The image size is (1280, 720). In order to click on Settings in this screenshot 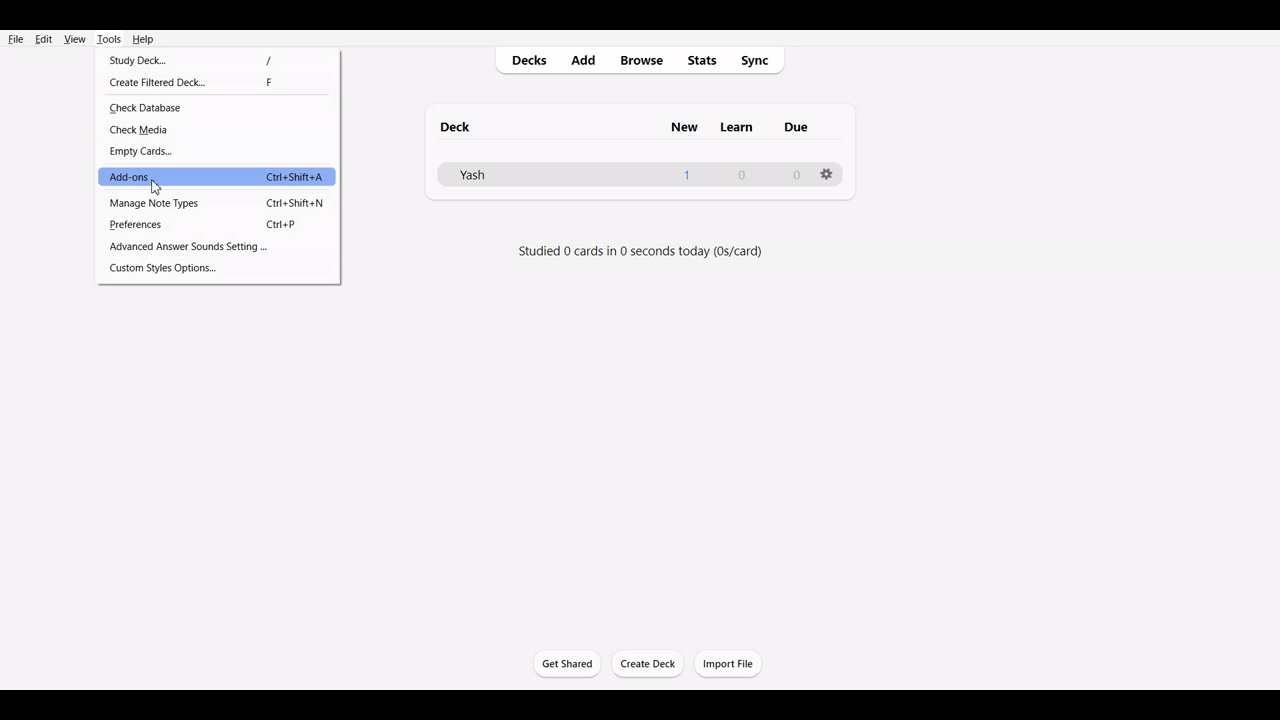, I will do `click(827, 175)`.